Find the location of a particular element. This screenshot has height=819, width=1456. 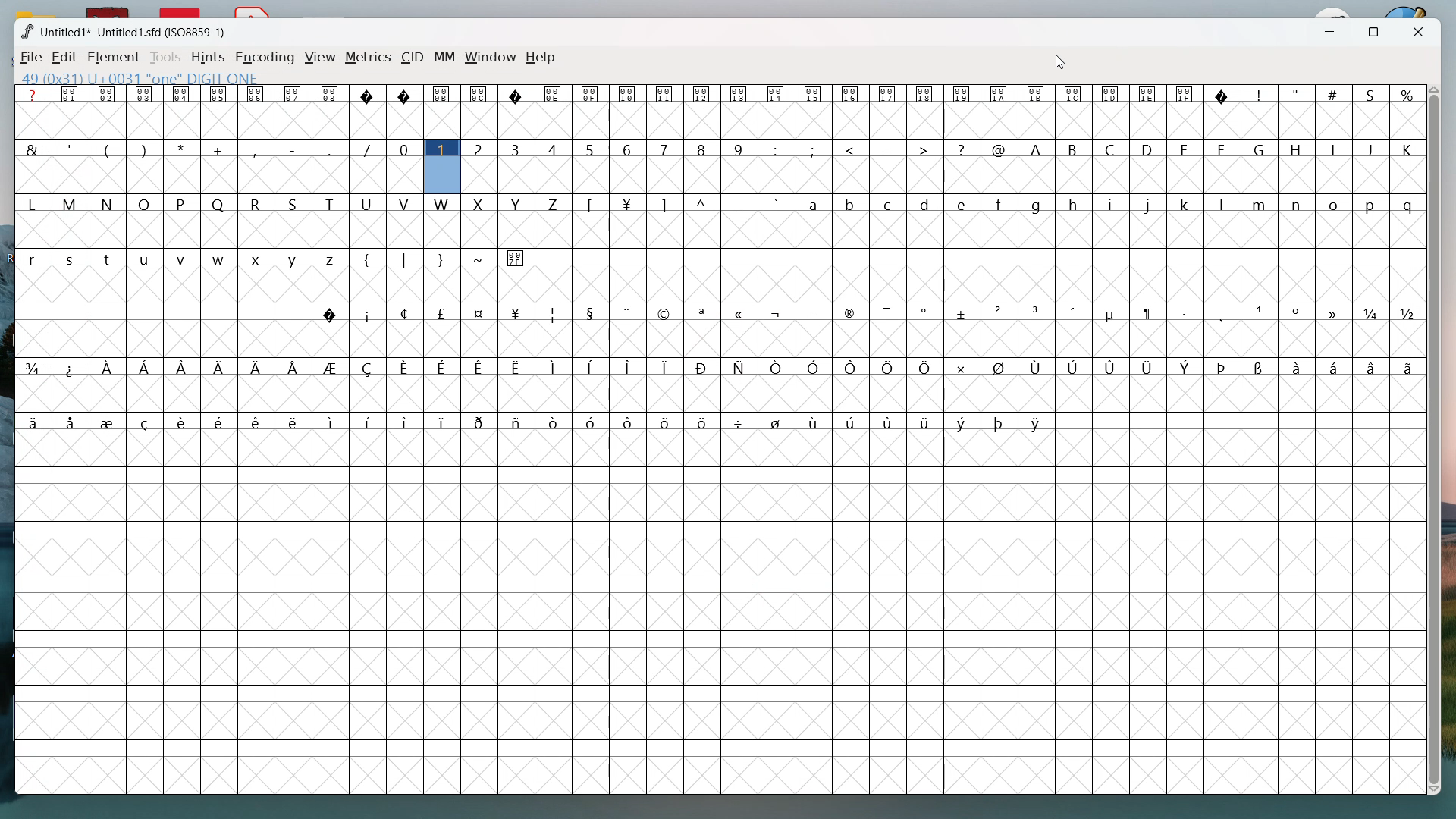

m is located at coordinates (1260, 202).